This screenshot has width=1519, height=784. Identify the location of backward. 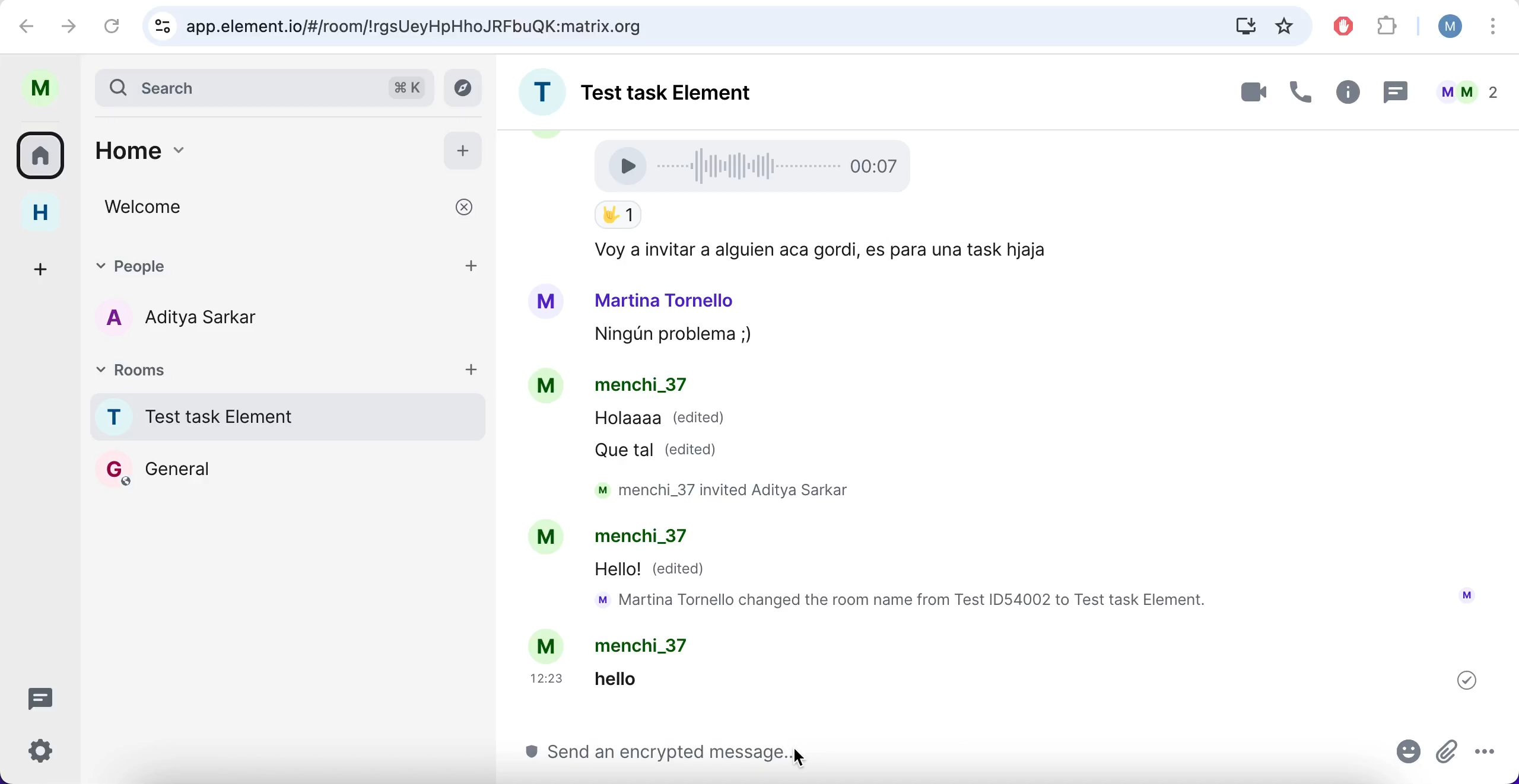
(27, 25).